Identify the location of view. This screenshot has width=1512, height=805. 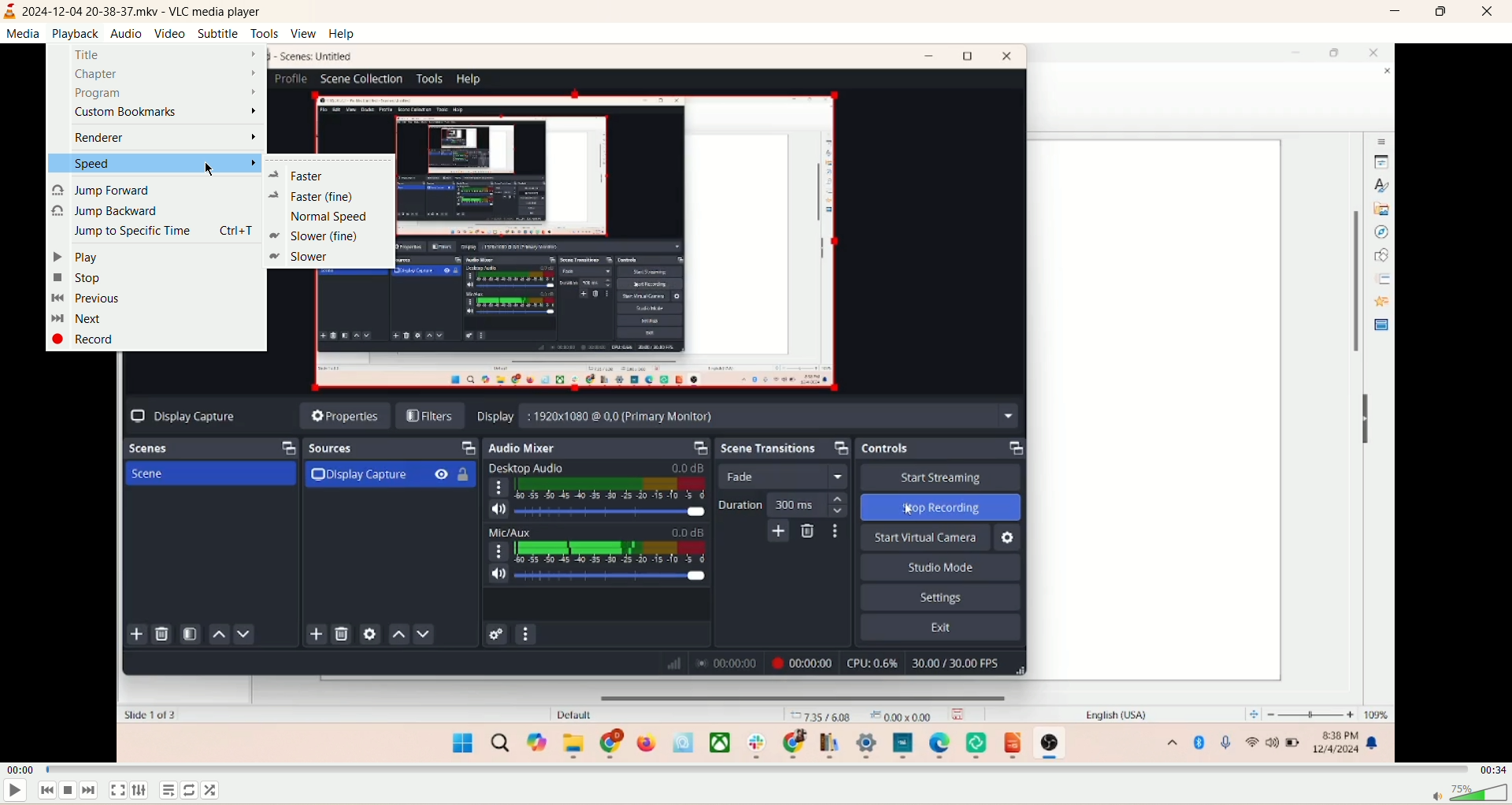
(303, 32).